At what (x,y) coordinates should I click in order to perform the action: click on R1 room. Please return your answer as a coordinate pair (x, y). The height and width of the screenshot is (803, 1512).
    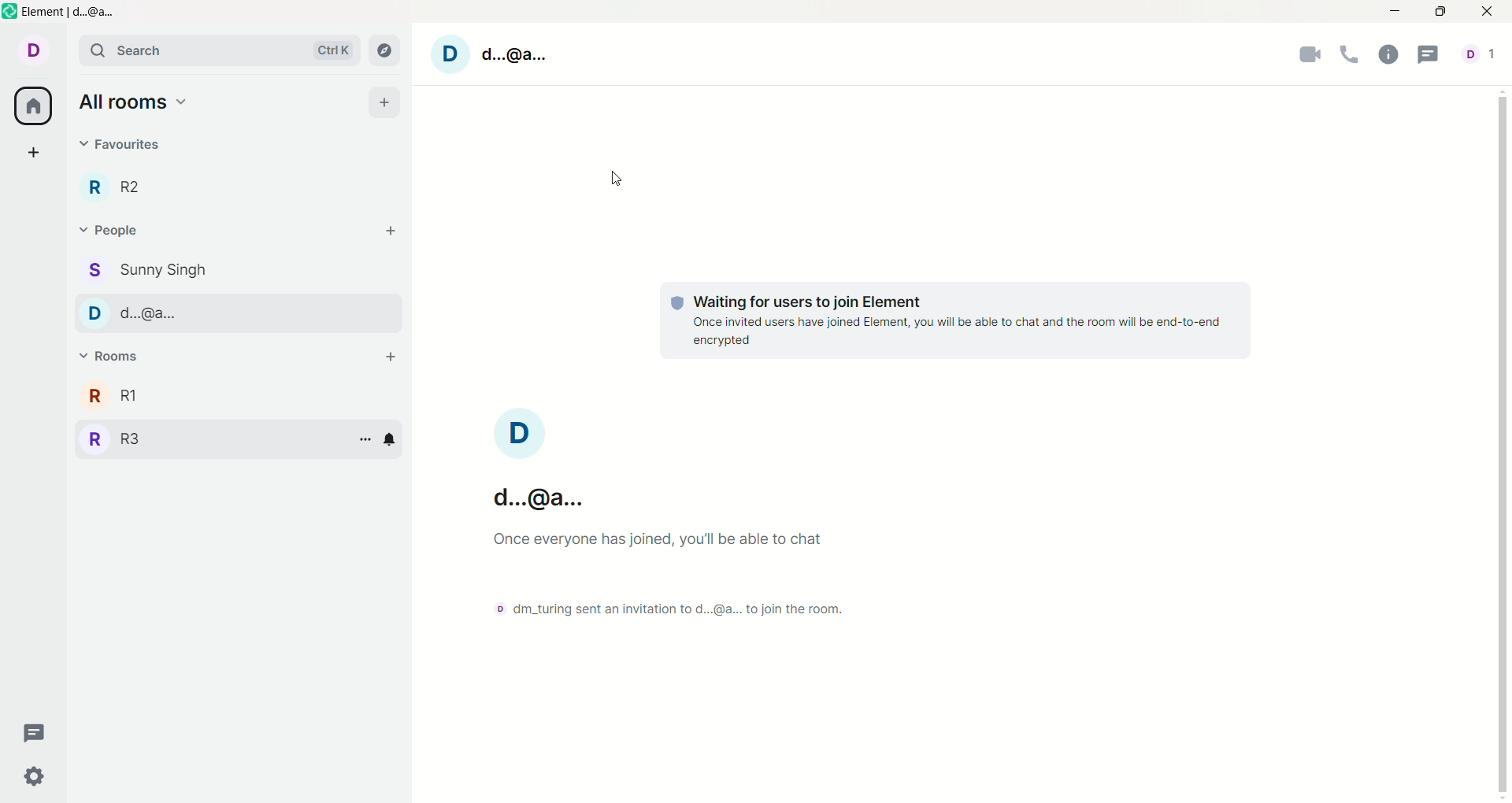
    Looking at the image, I should click on (139, 396).